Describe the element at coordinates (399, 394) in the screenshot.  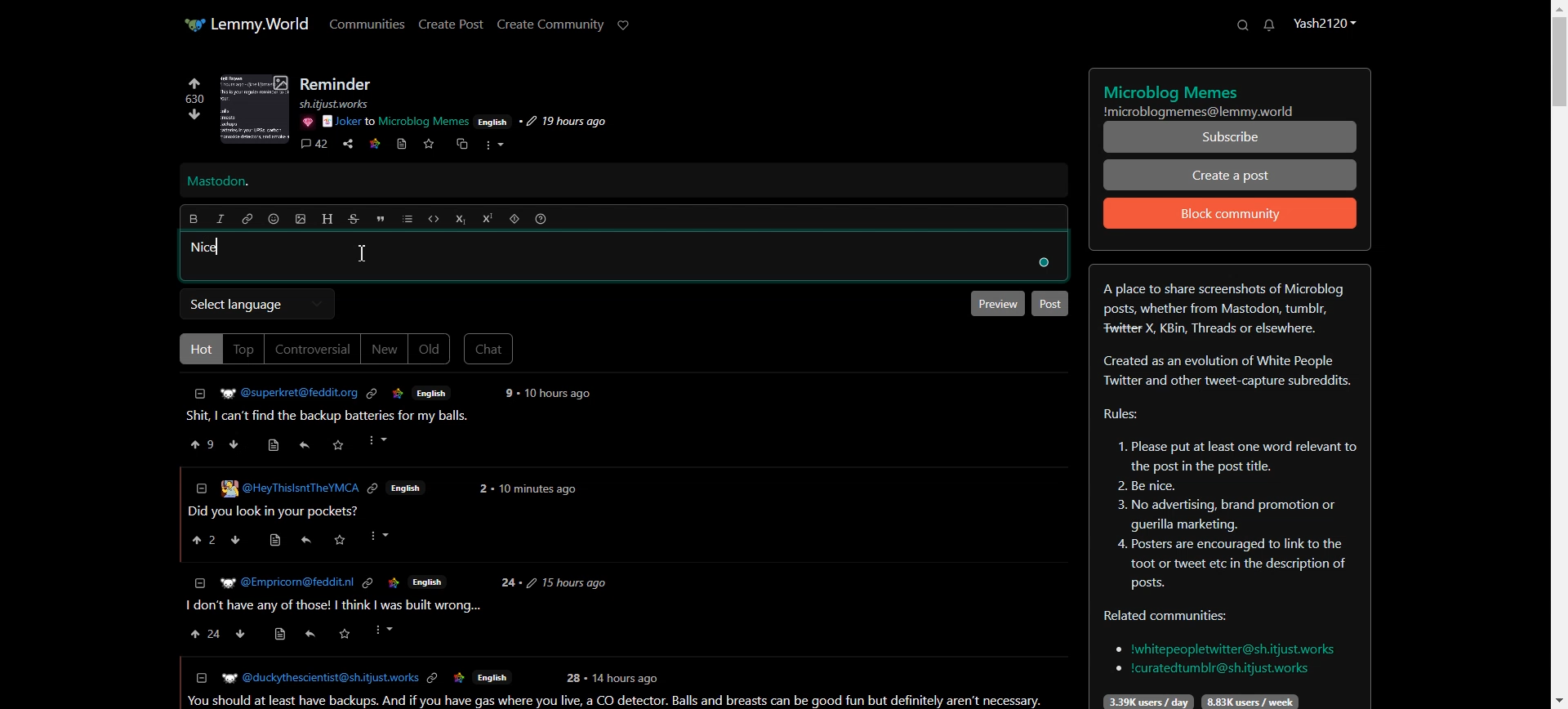
I see `` at that location.